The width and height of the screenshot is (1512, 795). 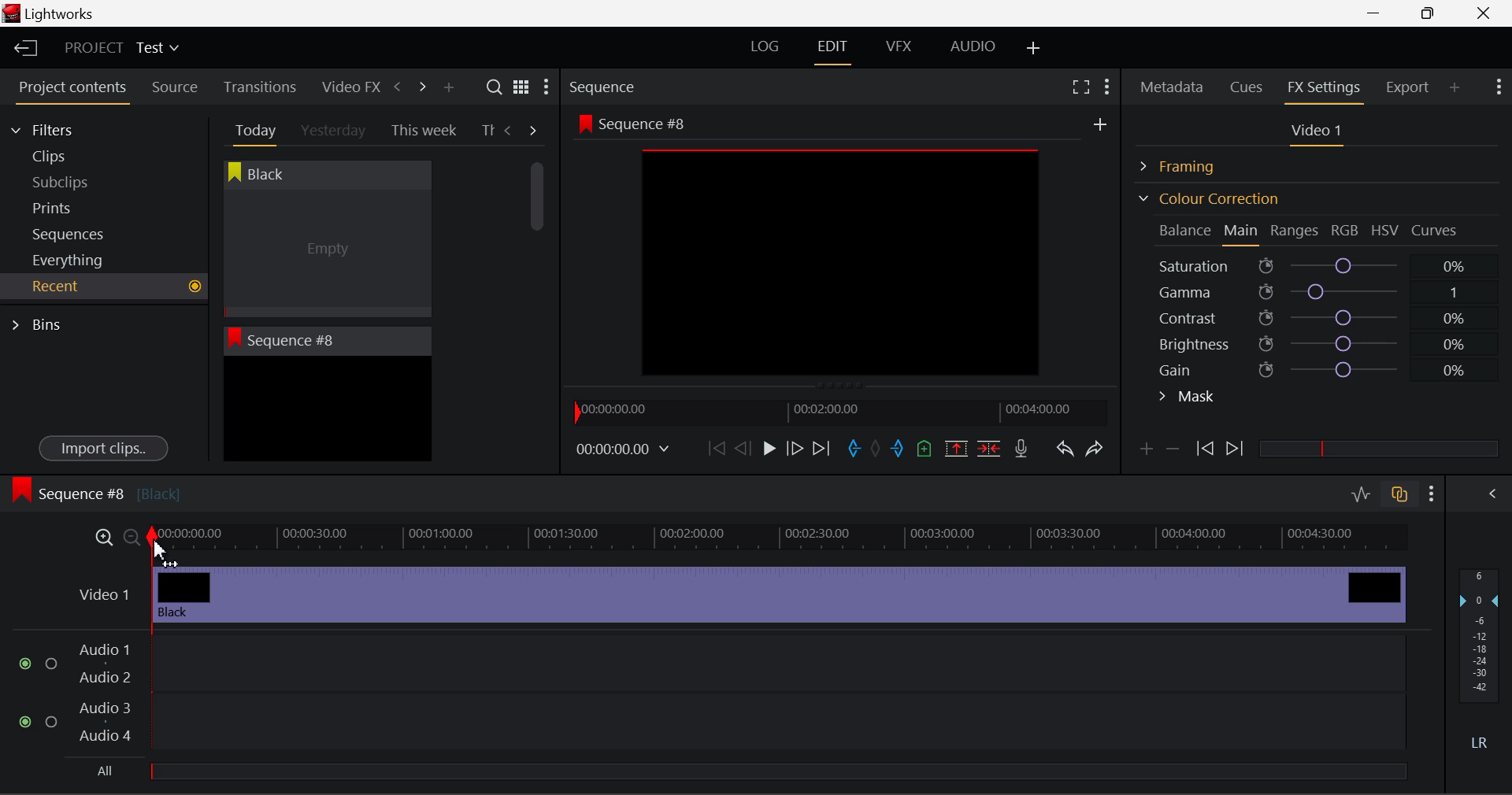 I want to click on Curves, so click(x=1436, y=230).